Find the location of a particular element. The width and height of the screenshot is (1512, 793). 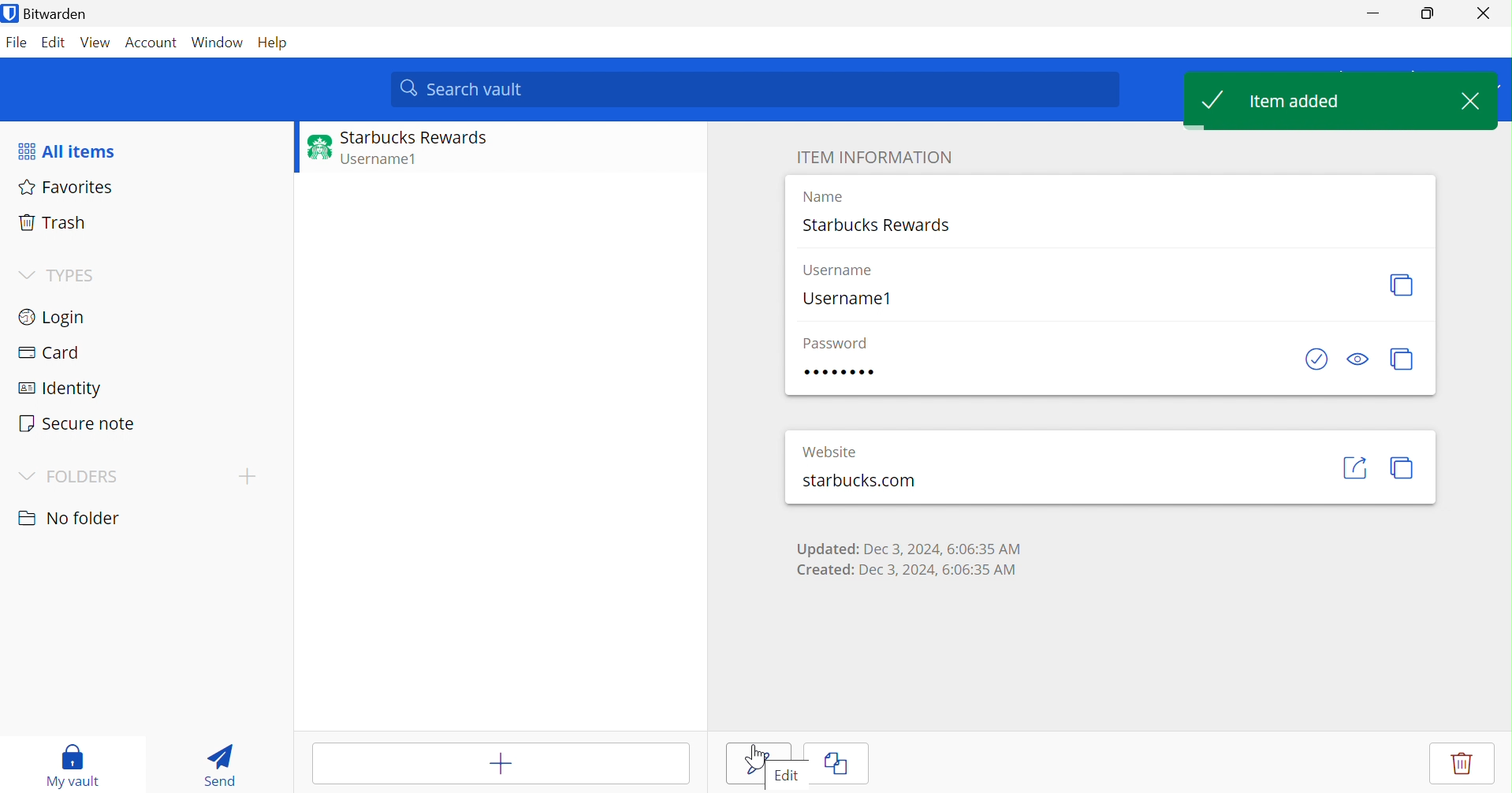

No folder is located at coordinates (70, 520).